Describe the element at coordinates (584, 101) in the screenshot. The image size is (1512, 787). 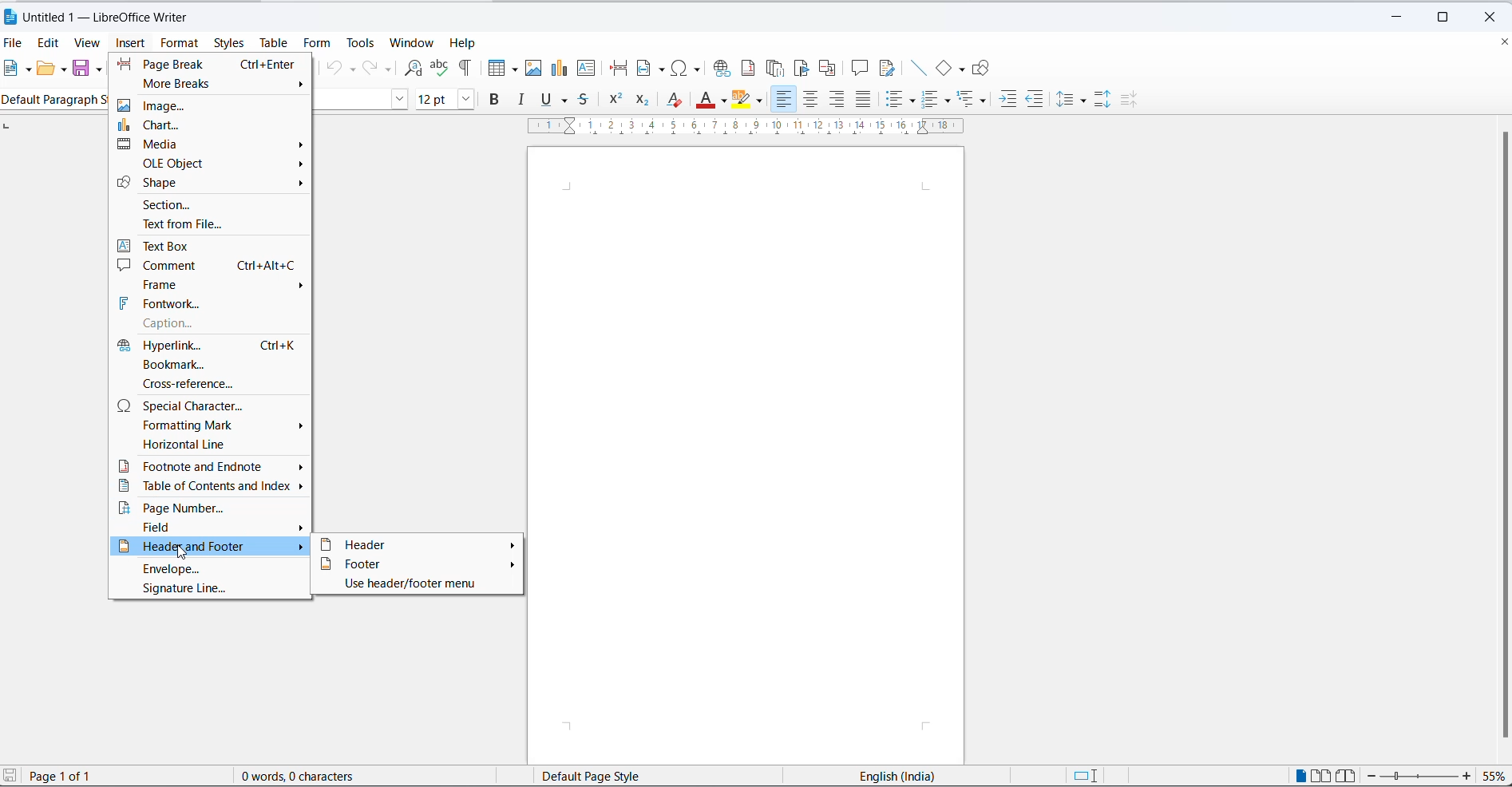
I see `strike through` at that location.